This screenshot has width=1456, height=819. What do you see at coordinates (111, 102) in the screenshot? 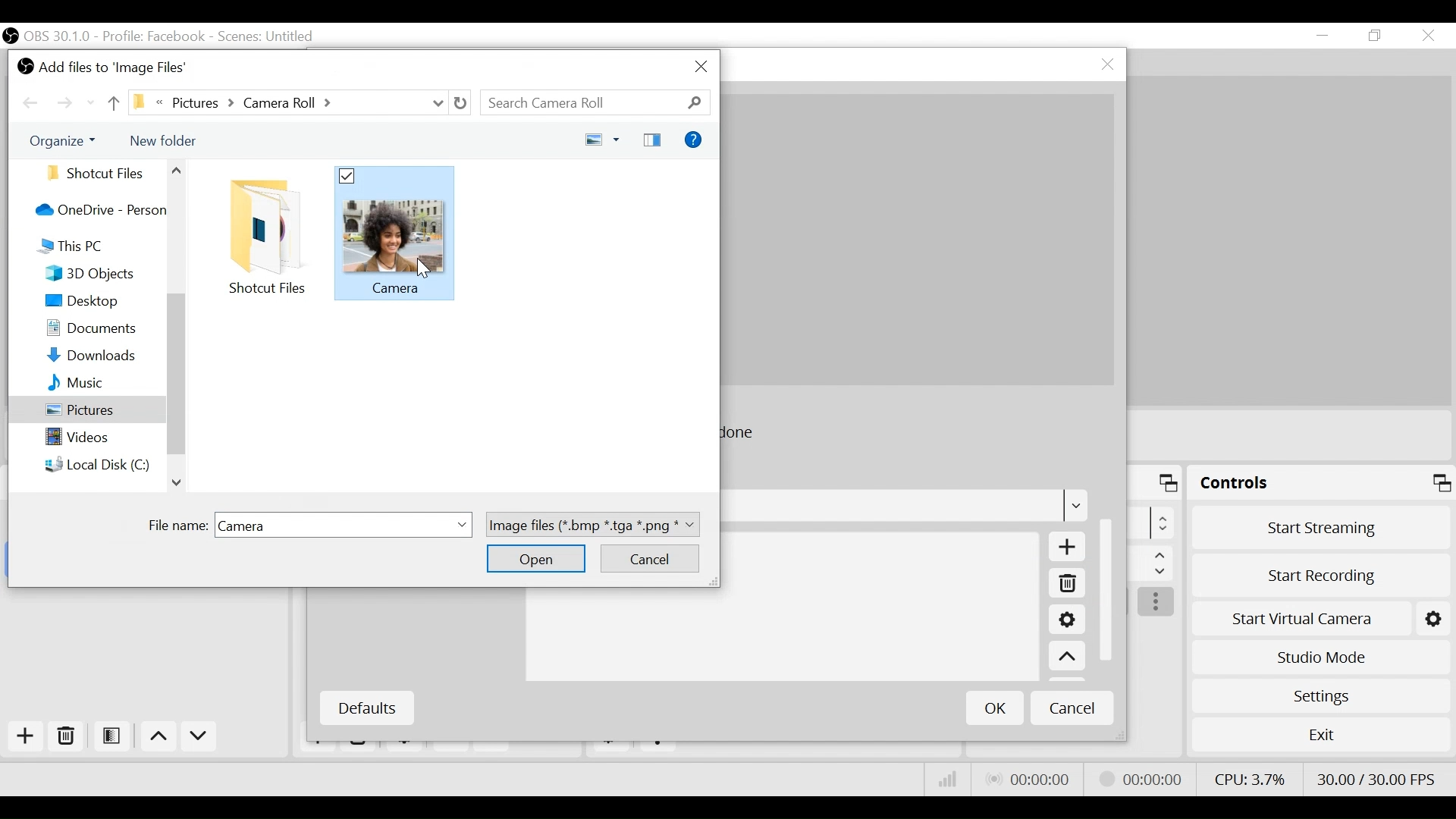
I see `move up` at bounding box center [111, 102].